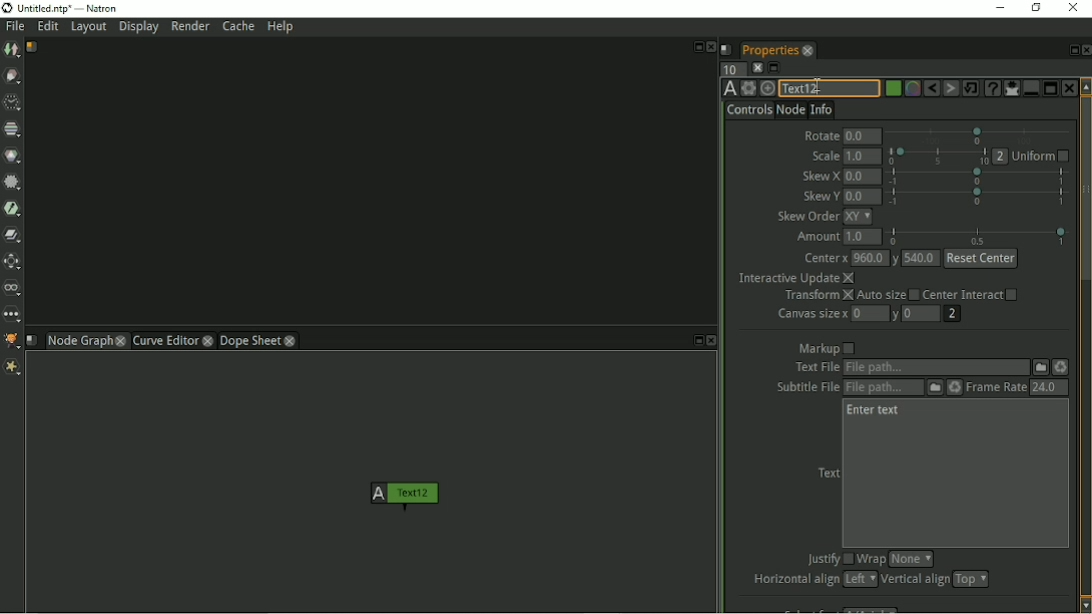 The width and height of the screenshot is (1092, 614). I want to click on close, so click(291, 340).